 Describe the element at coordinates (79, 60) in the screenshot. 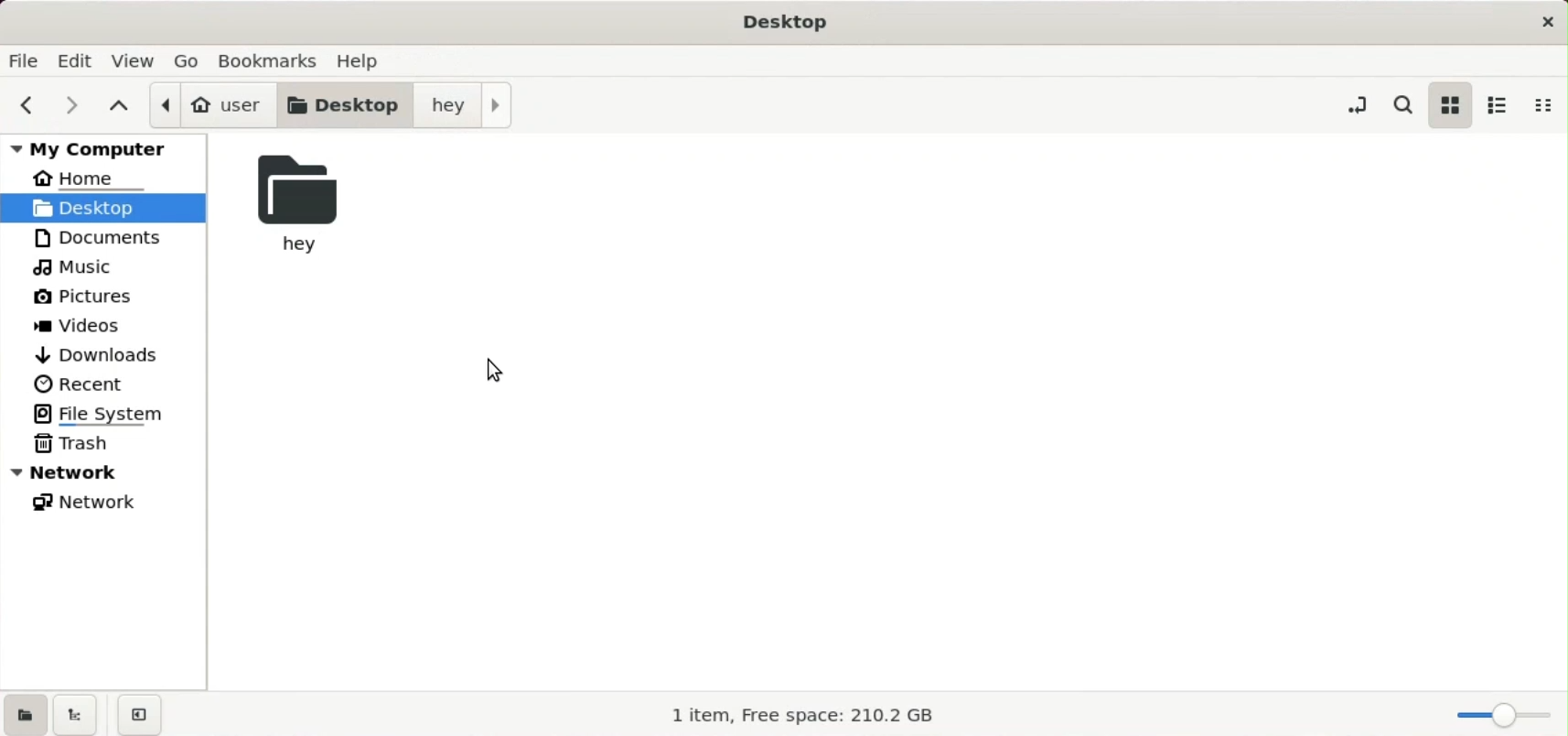

I see `edit` at that location.